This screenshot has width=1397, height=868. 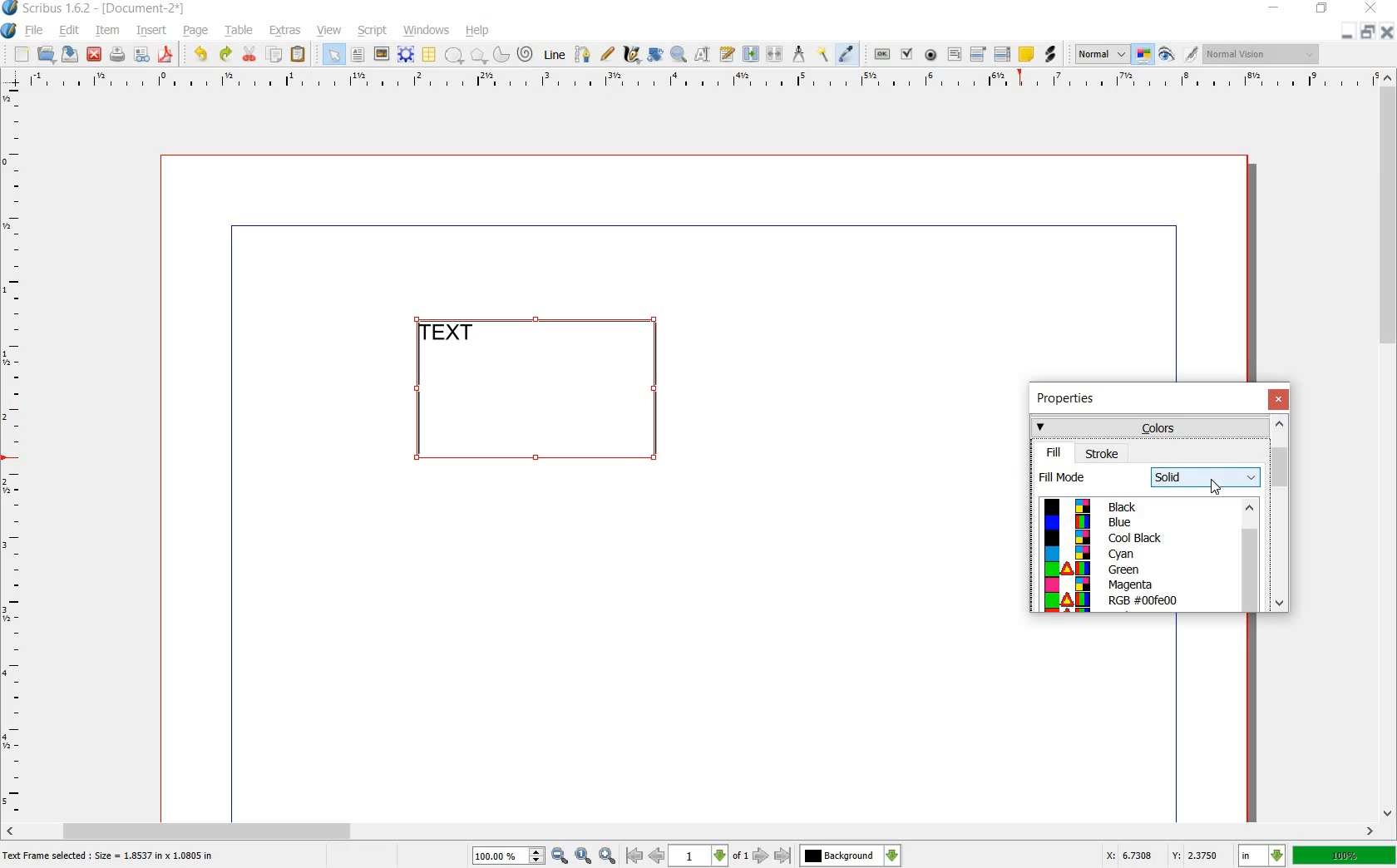 What do you see at coordinates (141, 55) in the screenshot?
I see `preflight verifier` at bounding box center [141, 55].